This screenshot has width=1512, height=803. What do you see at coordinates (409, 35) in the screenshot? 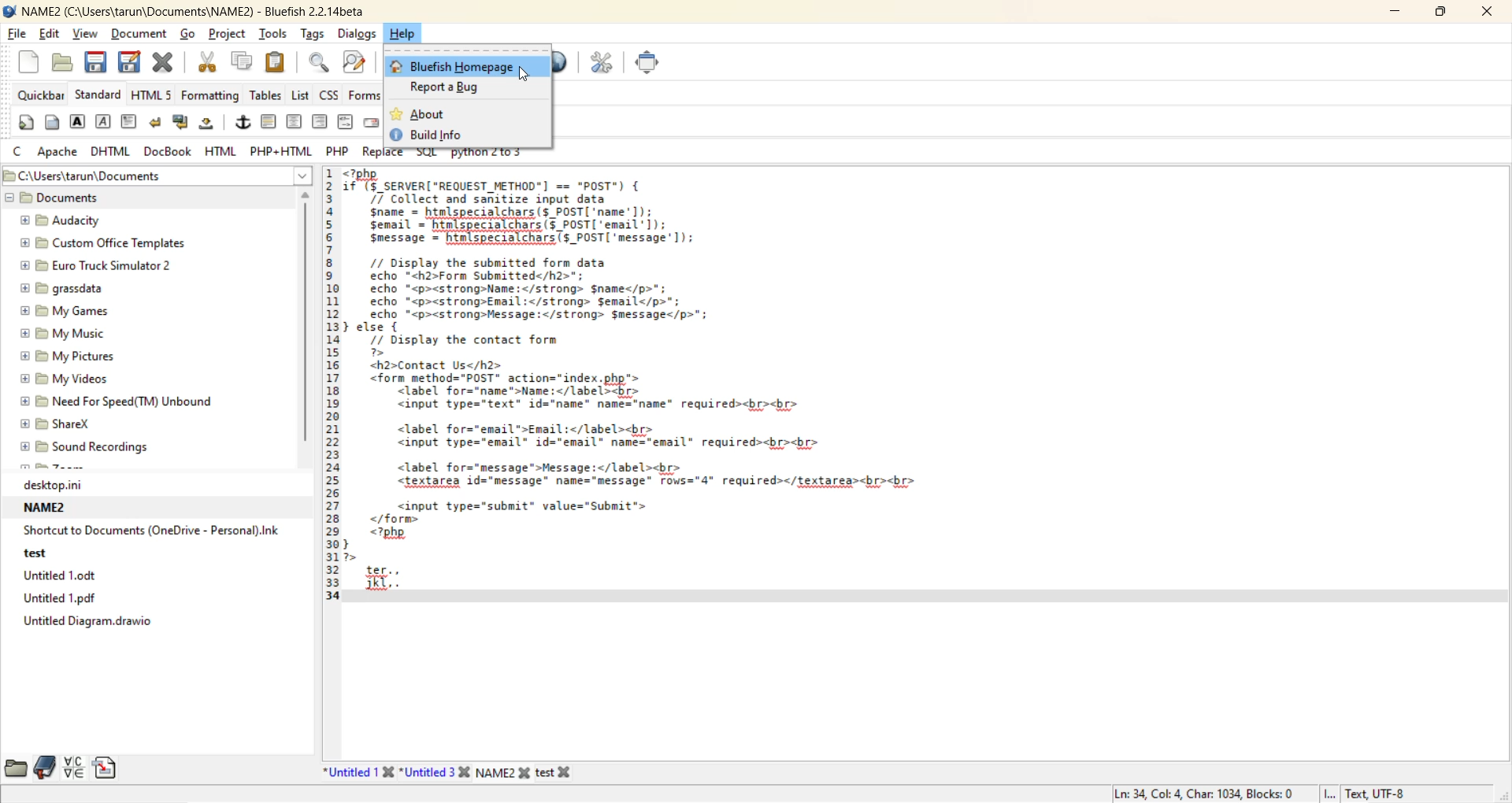
I see `help` at bounding box center [409, 35].